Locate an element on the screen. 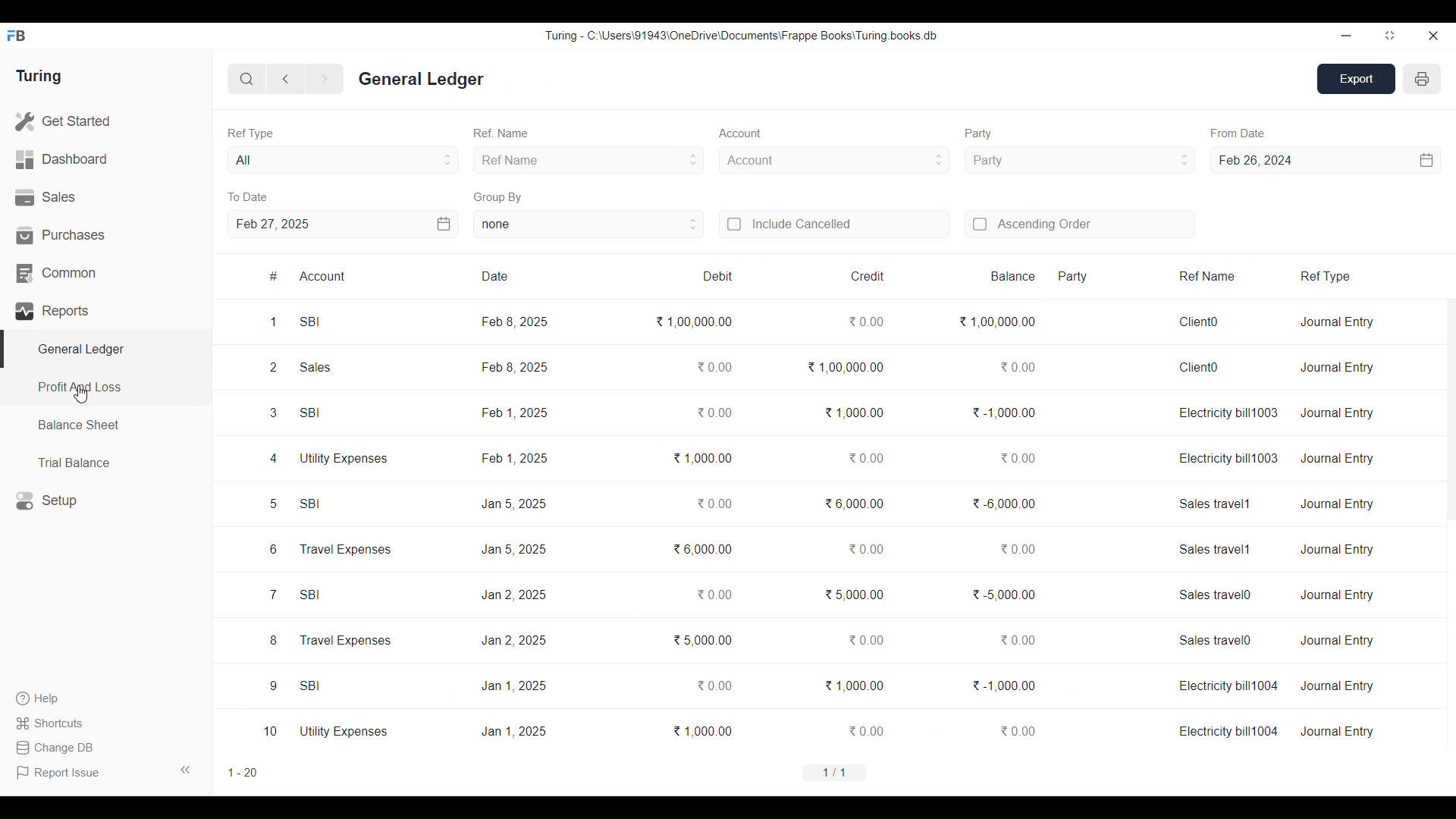 Image resolution: width=1456 pixels, height=819 pixels. Journal Entry is located at coordinates (1337, 640).